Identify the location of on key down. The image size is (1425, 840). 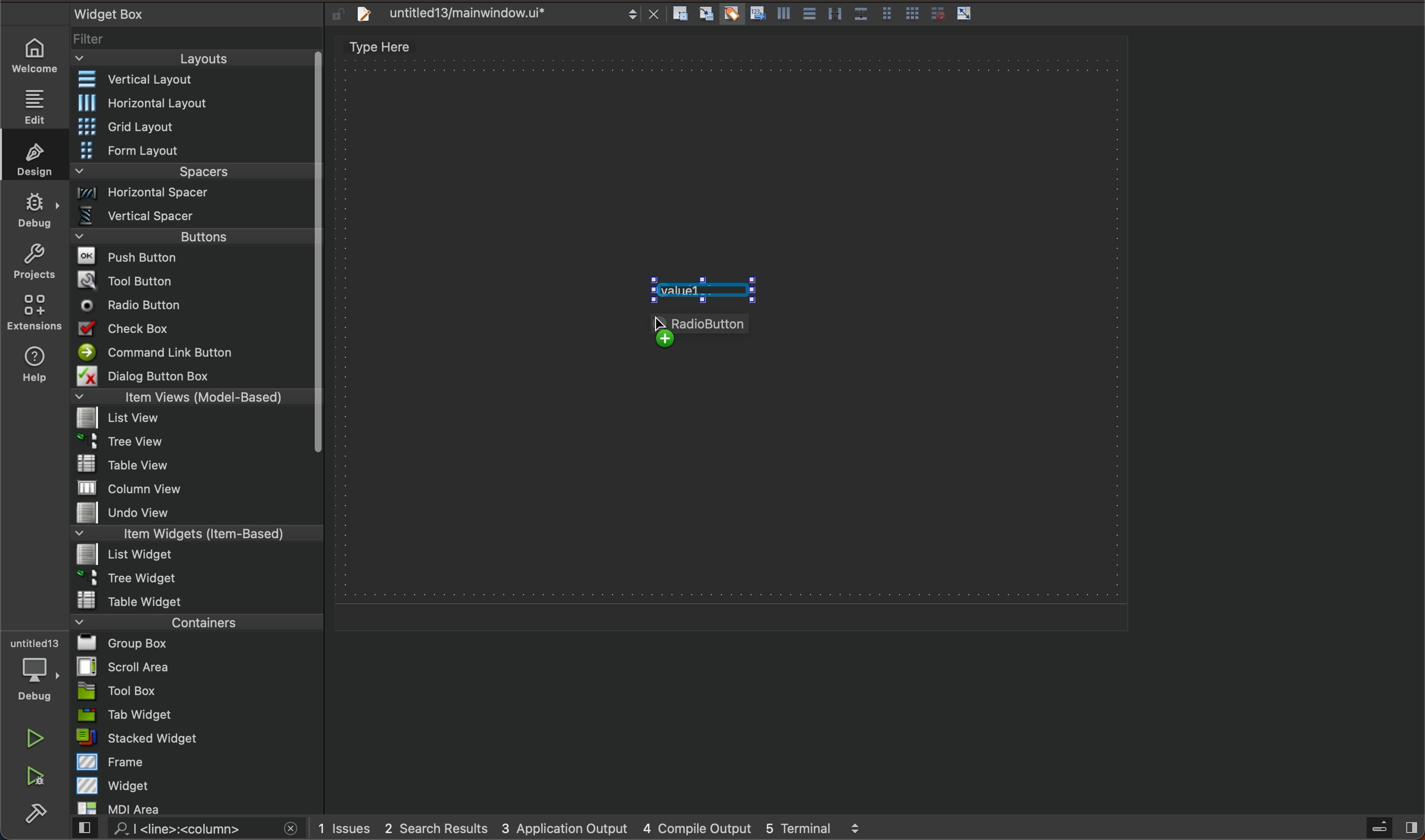
(135, 306).